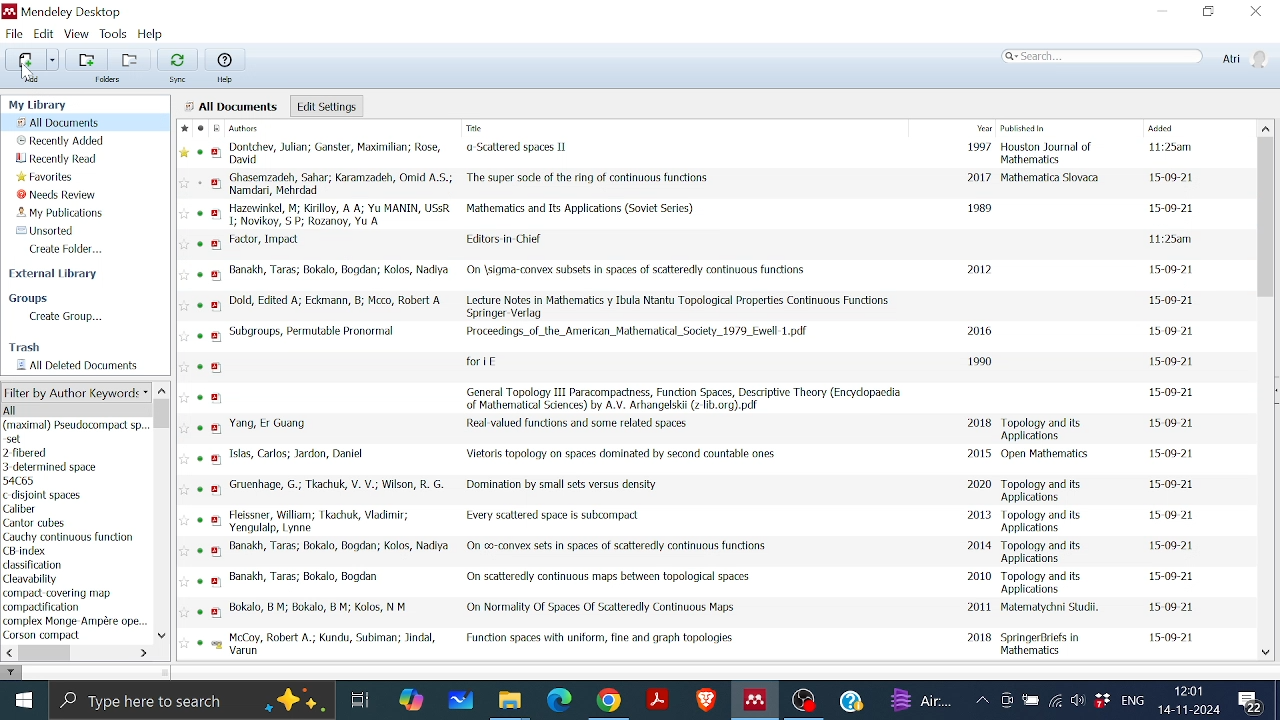 The height and width of the screenshot is (720, 1280). Describe the element at coordinates (1254, 701) in the screenshot. I see `Notifications` at that location.